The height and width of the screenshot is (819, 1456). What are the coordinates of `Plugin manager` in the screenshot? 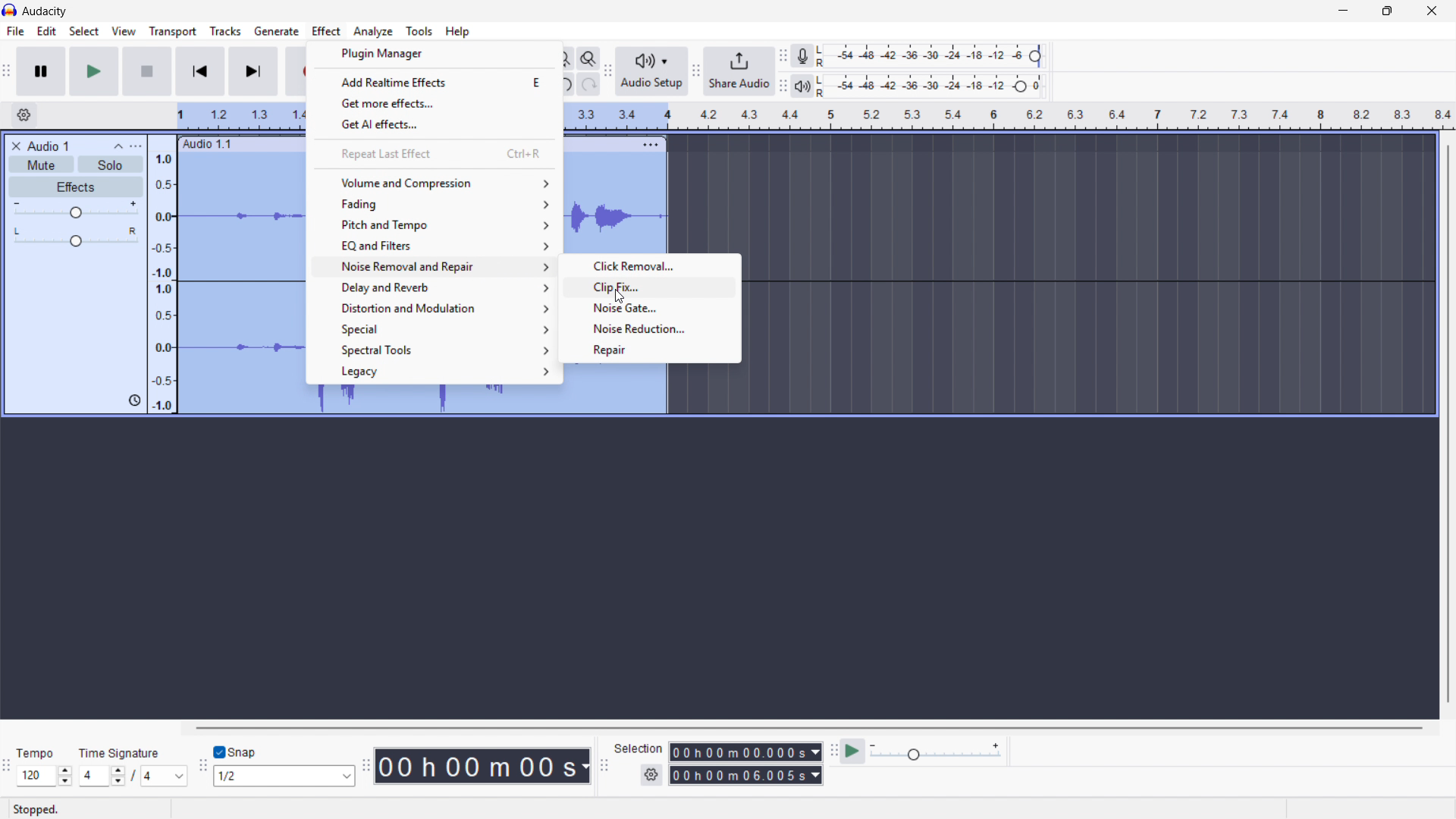 It's located at (434, 54).